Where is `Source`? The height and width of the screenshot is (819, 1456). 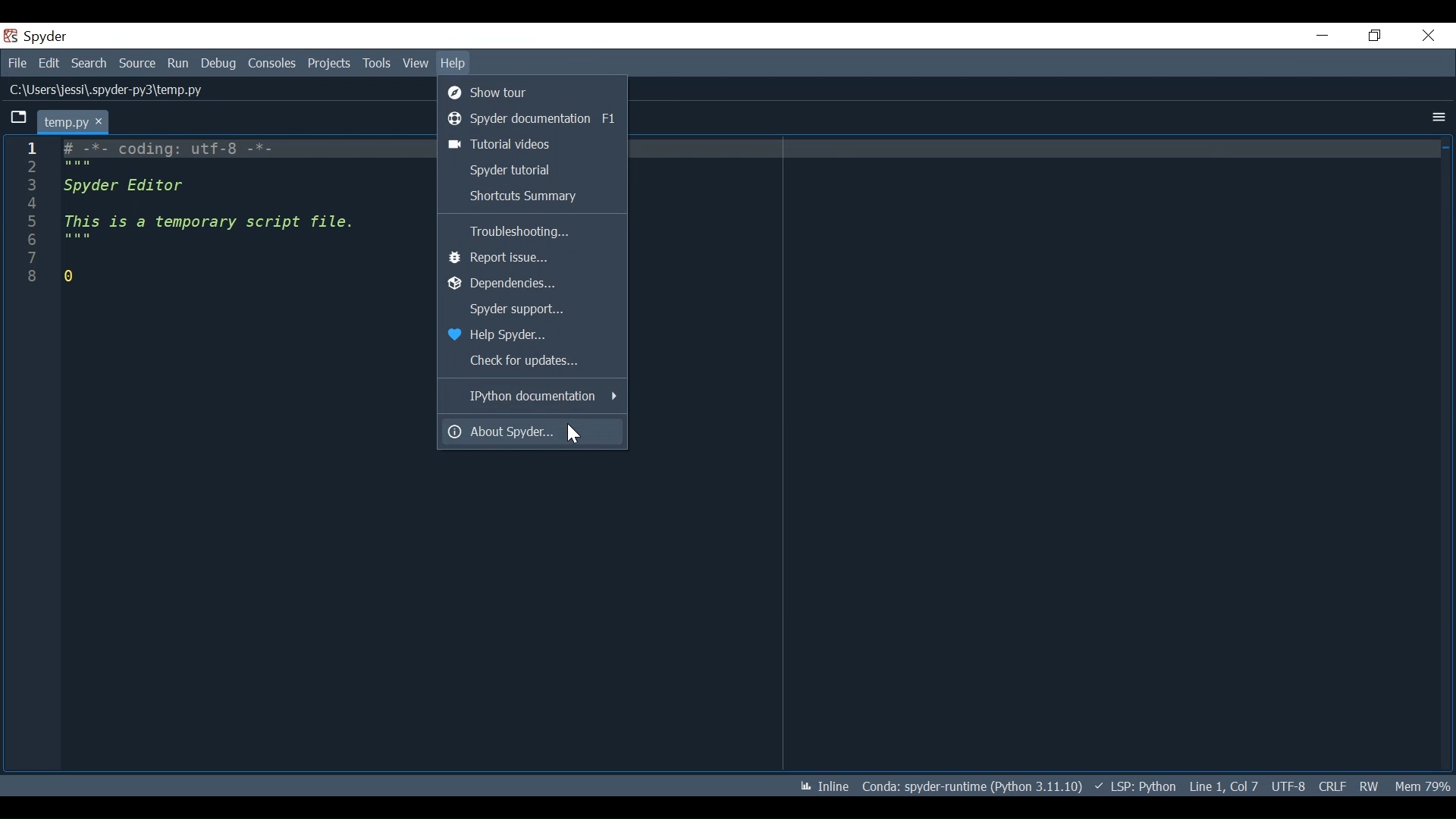
Source is located at coordinates (137, 64).